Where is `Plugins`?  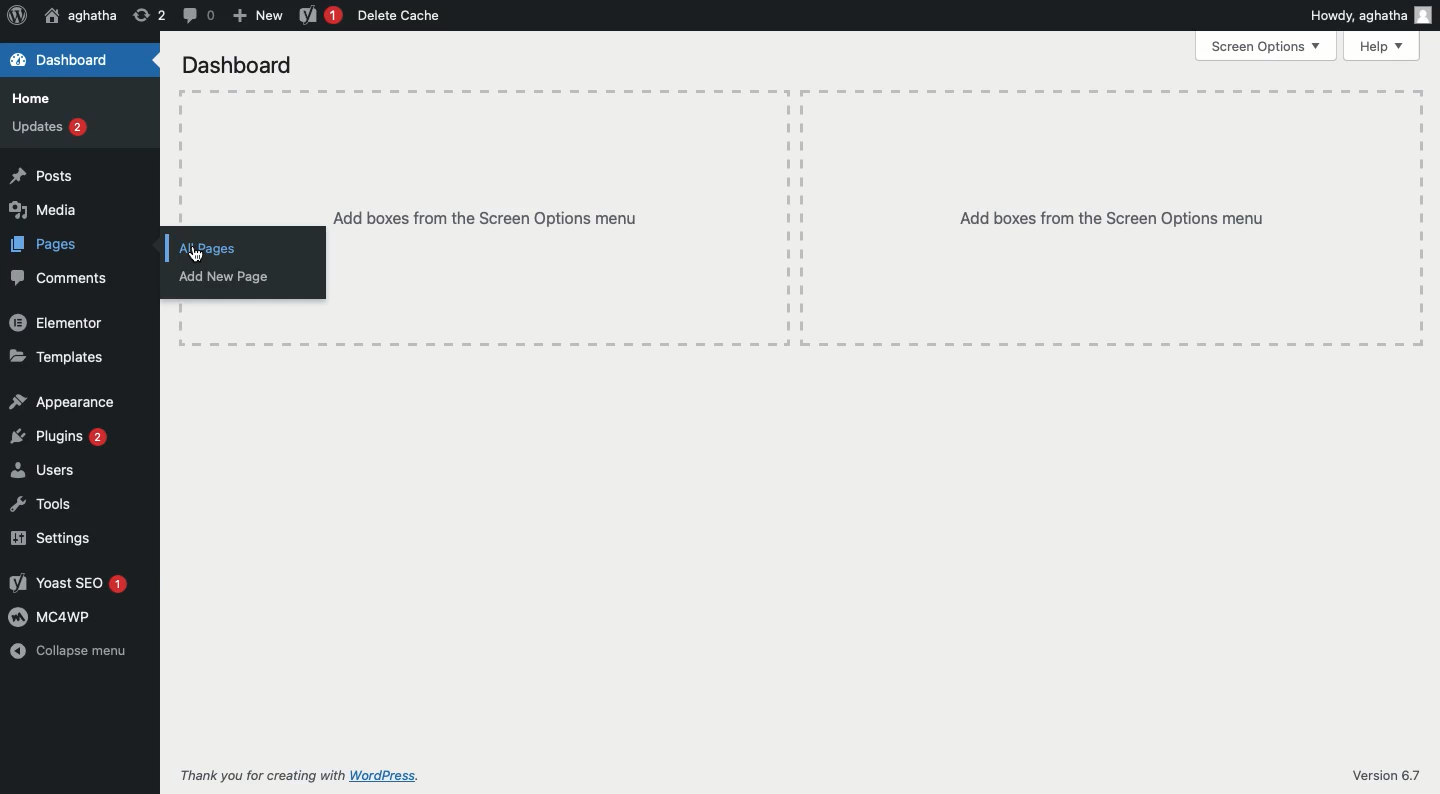
Plugins is located at coordinates (61, 438).